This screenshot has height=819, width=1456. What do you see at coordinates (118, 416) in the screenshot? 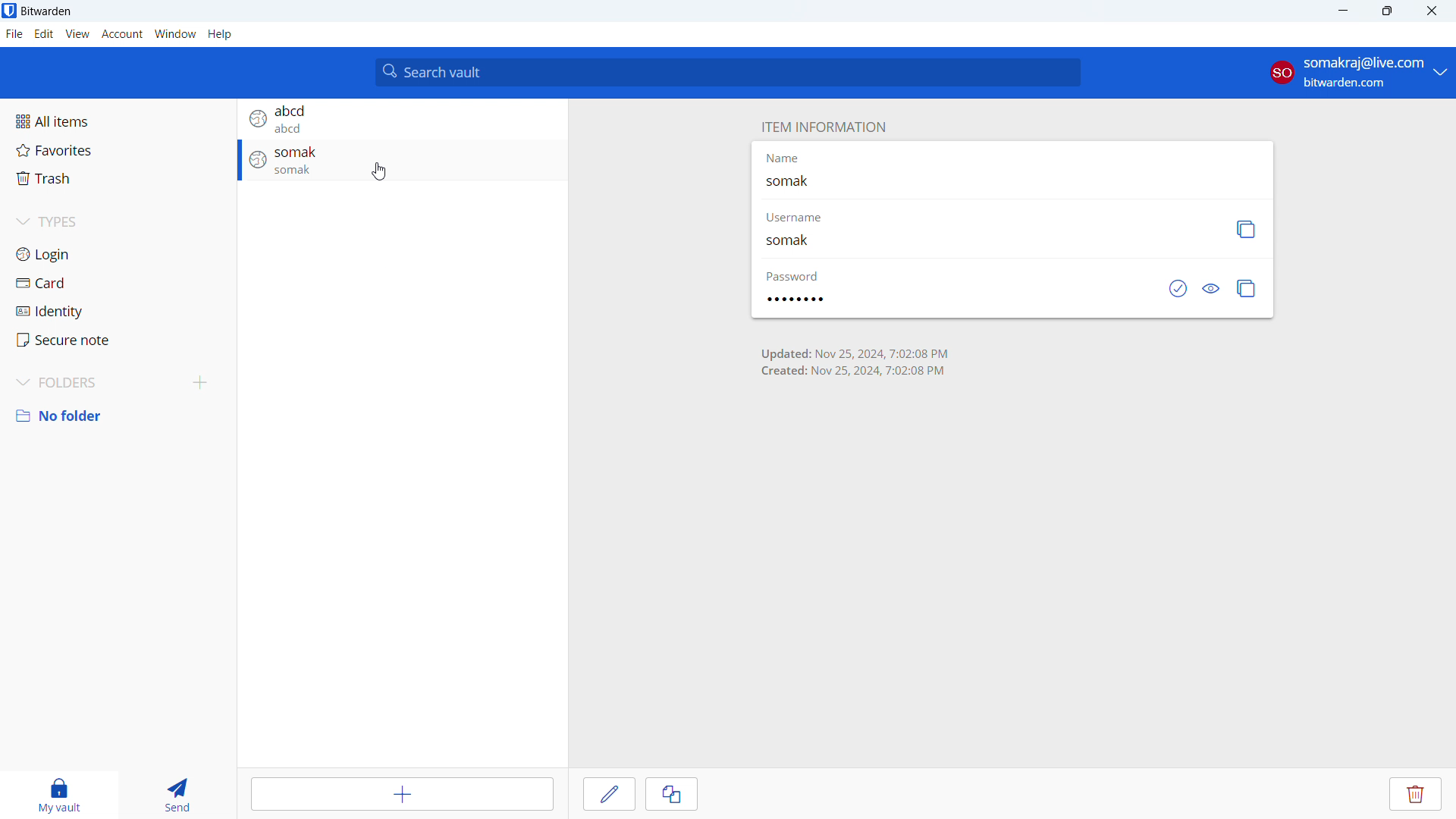
I see `no folder` at bounding box center [118, 416].